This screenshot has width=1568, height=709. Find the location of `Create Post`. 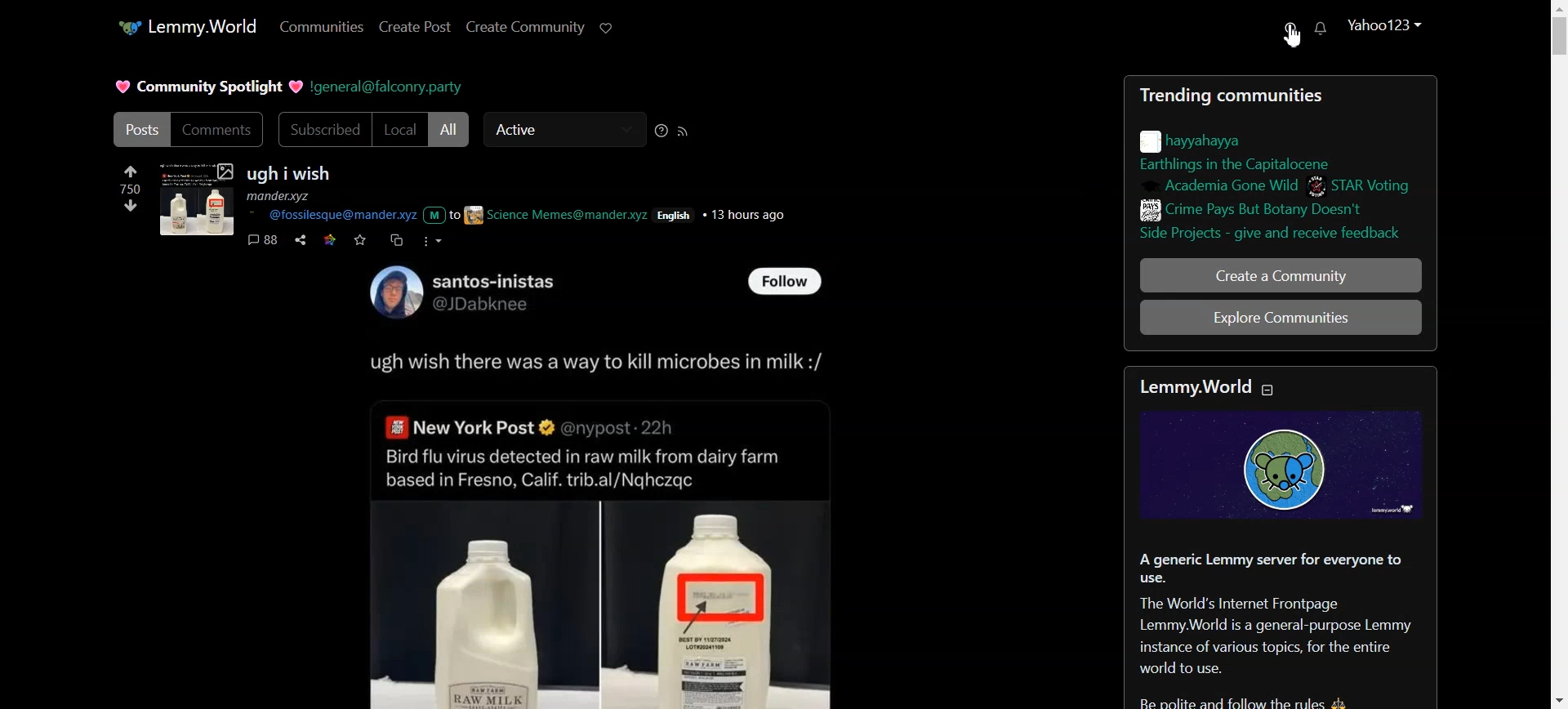

Create Post is located at coordinates (414, 27).